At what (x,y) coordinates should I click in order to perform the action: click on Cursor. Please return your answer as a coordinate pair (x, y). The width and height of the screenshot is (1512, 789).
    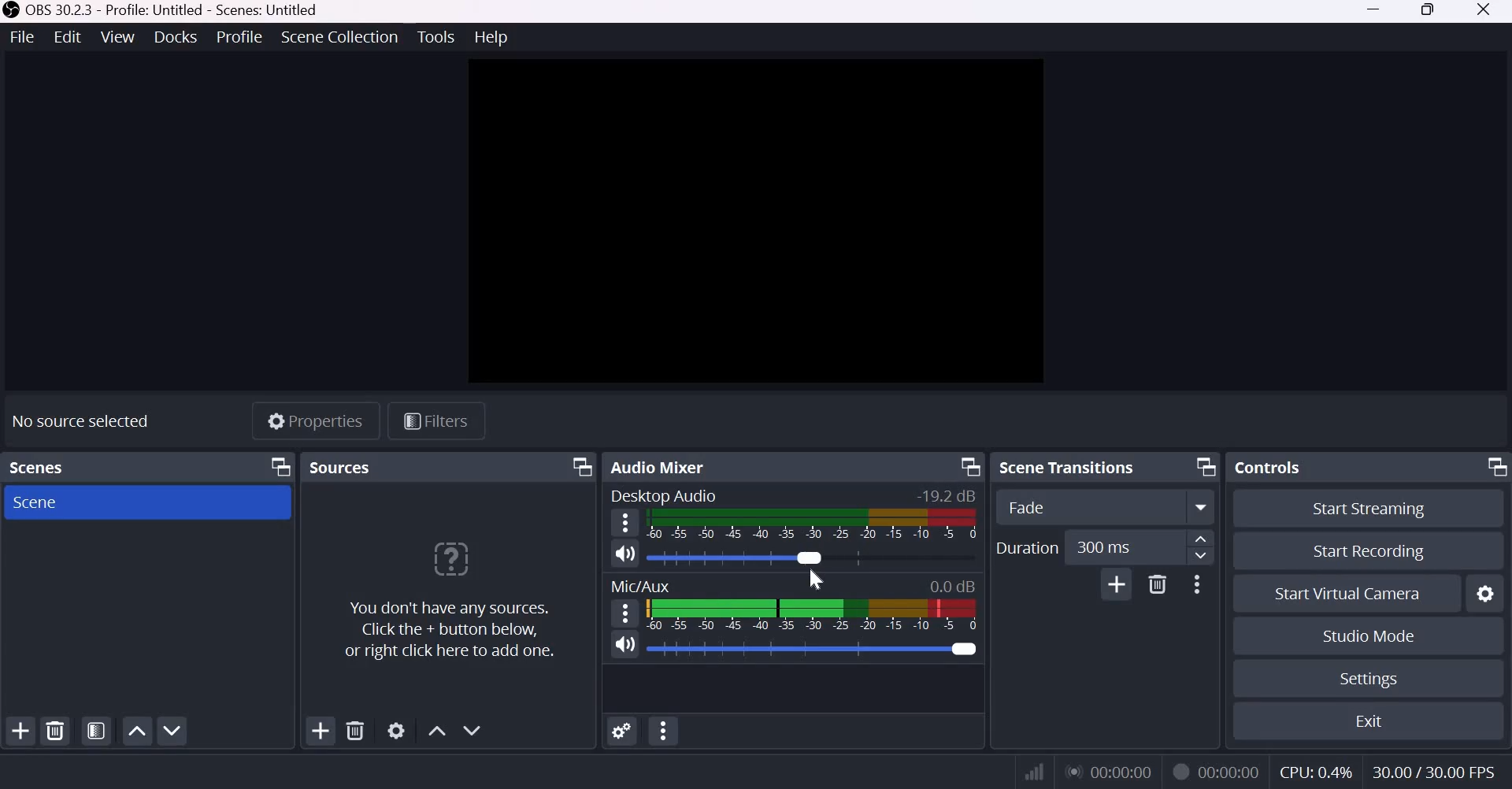
    Looking at the image, I should click on (812, 580).